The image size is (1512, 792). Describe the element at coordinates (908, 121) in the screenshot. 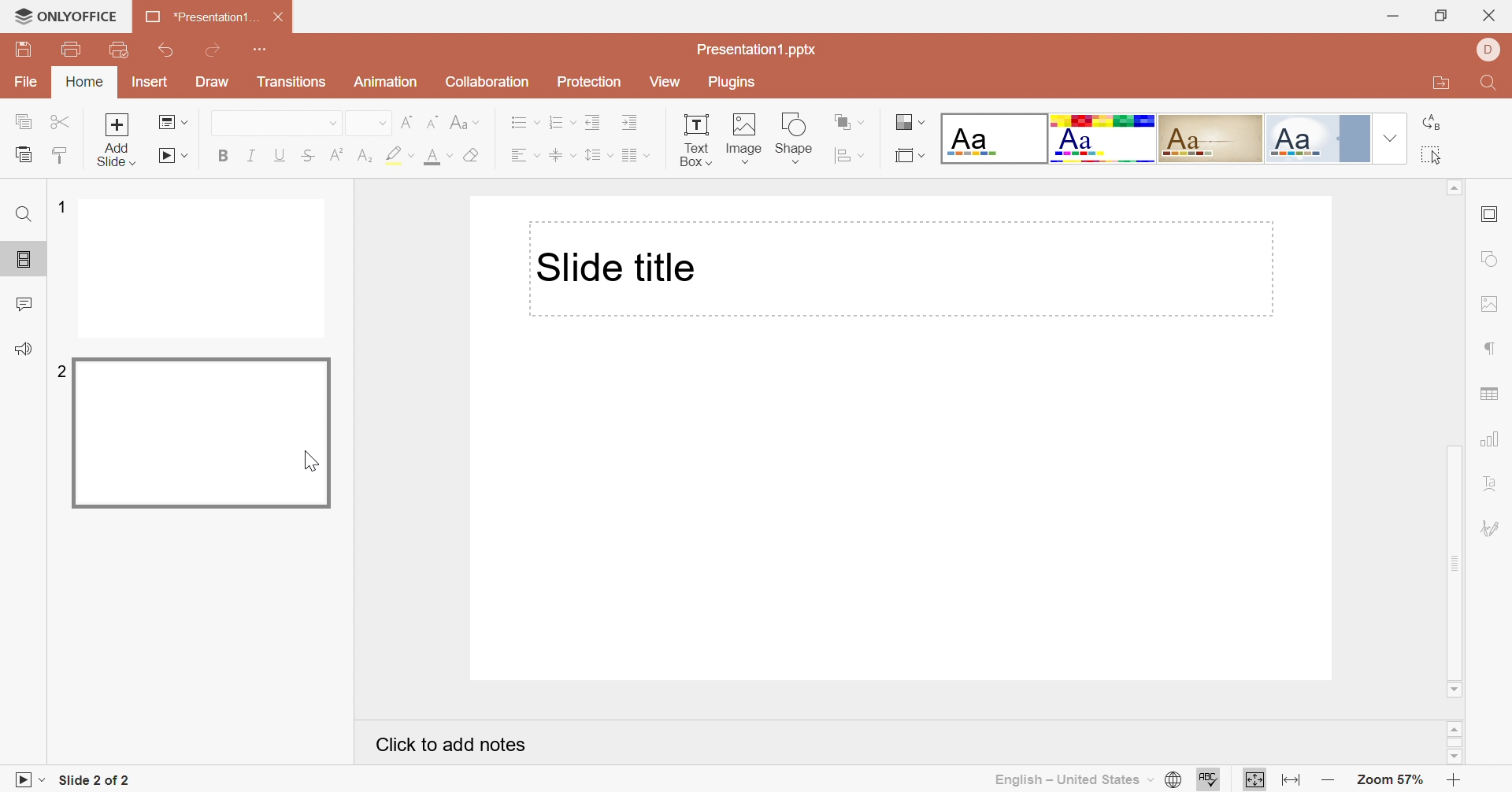

I see `Change color theme` at that location.